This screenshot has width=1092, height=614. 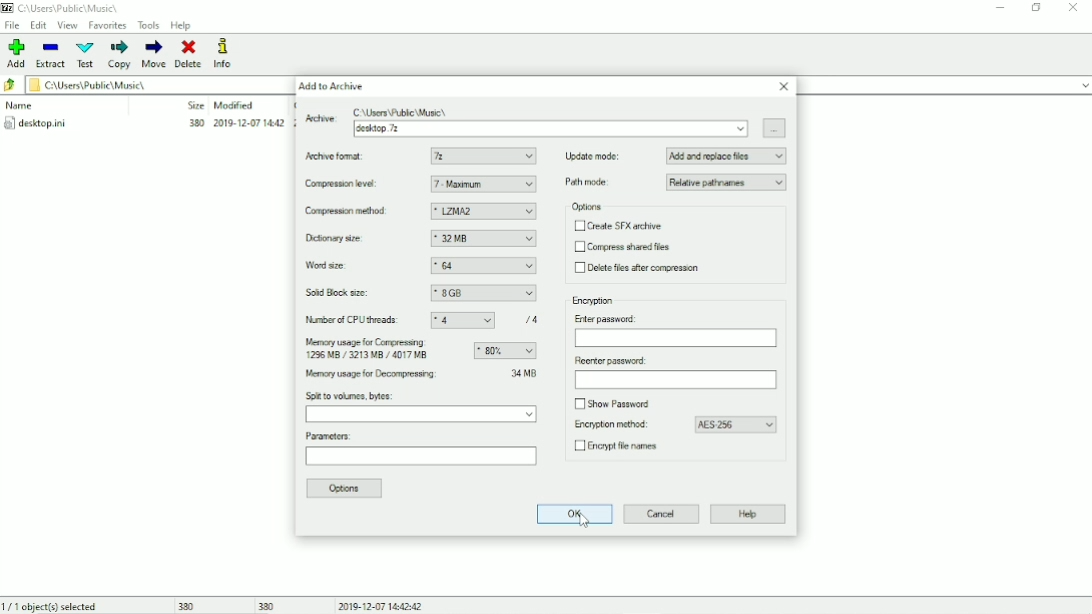 I want to click on 16 MB, so click(x=483, y=238).